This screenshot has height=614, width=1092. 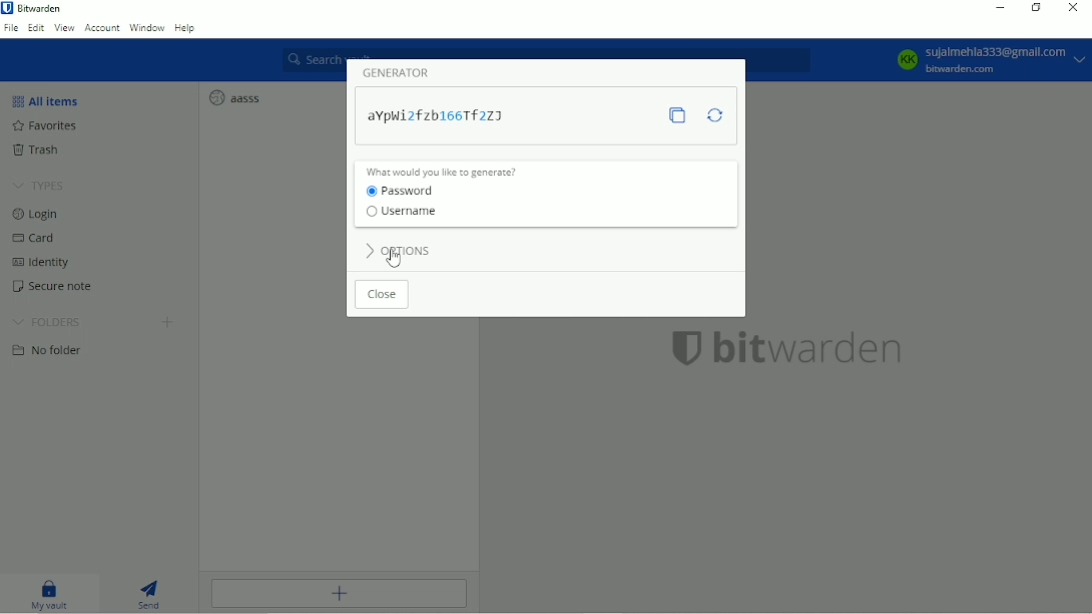 What do you see at coordinates (44, 126) in the screenshot?
I see `Favorites` at bounding box center [44, 126].